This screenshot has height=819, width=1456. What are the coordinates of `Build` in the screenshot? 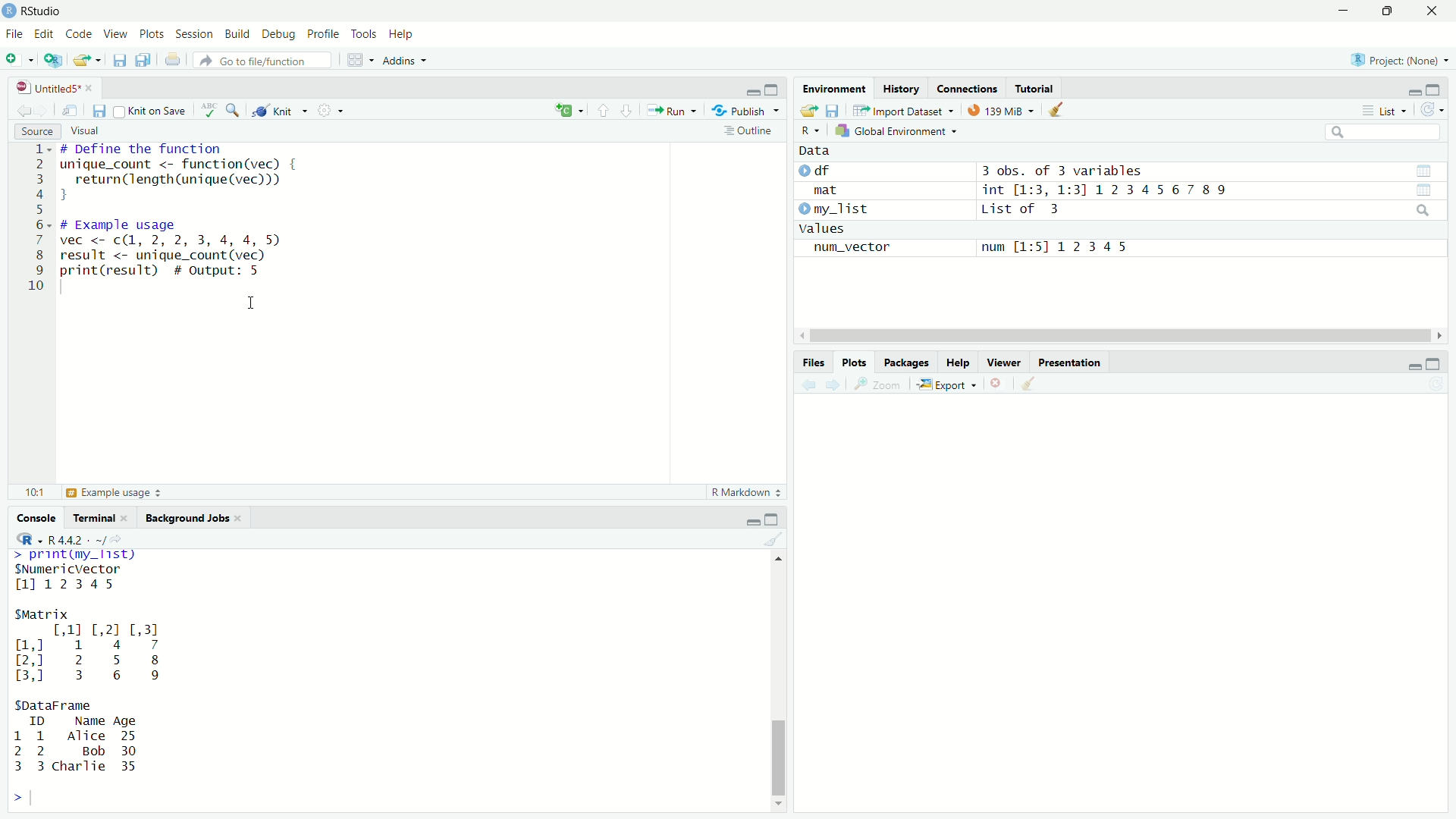 It's located at (239, 35).